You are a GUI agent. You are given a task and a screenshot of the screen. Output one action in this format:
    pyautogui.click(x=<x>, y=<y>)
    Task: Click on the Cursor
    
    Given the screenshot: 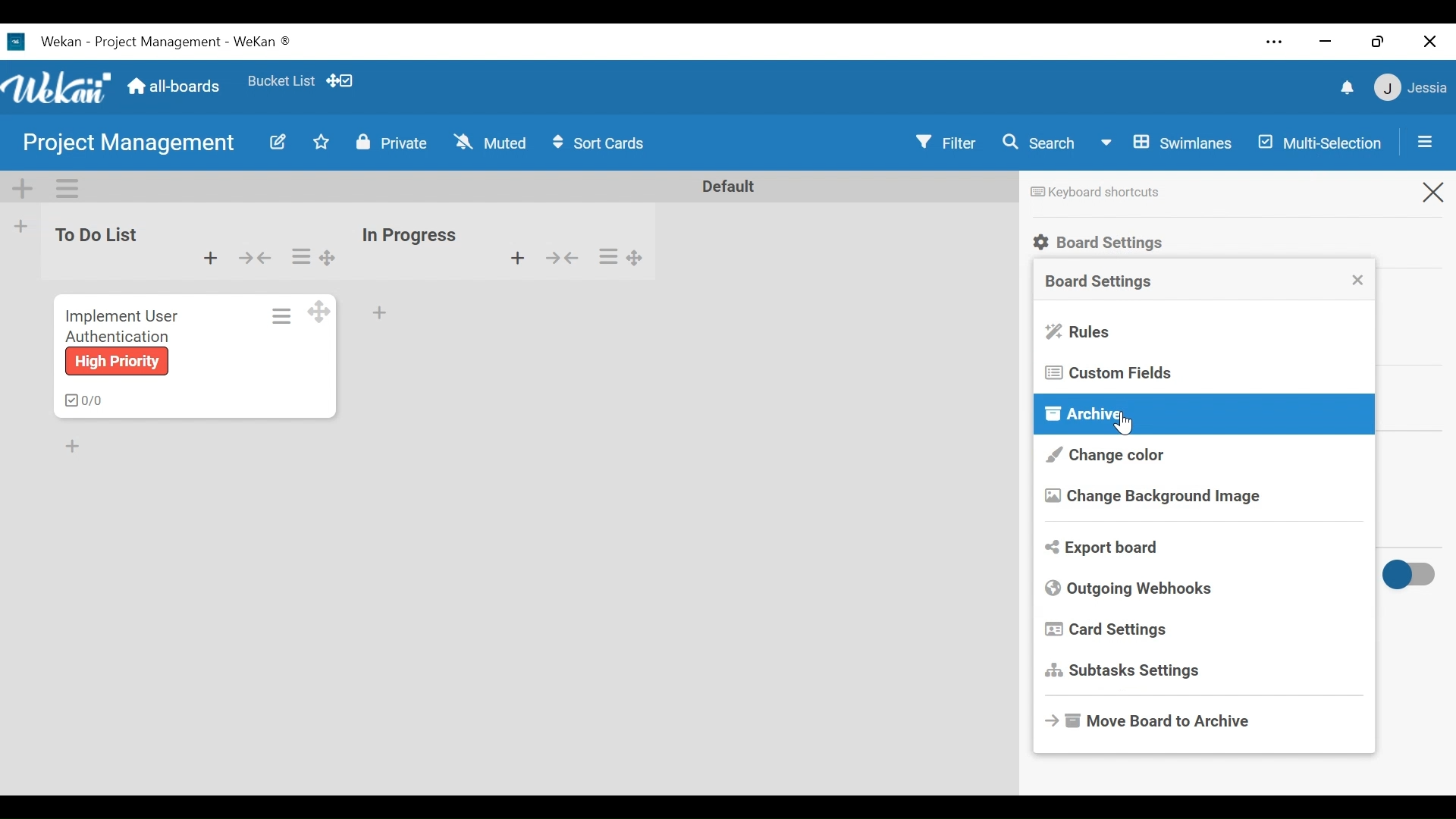 What is the action you would take?
    pyautogui.click(x=1130, y=421)
    